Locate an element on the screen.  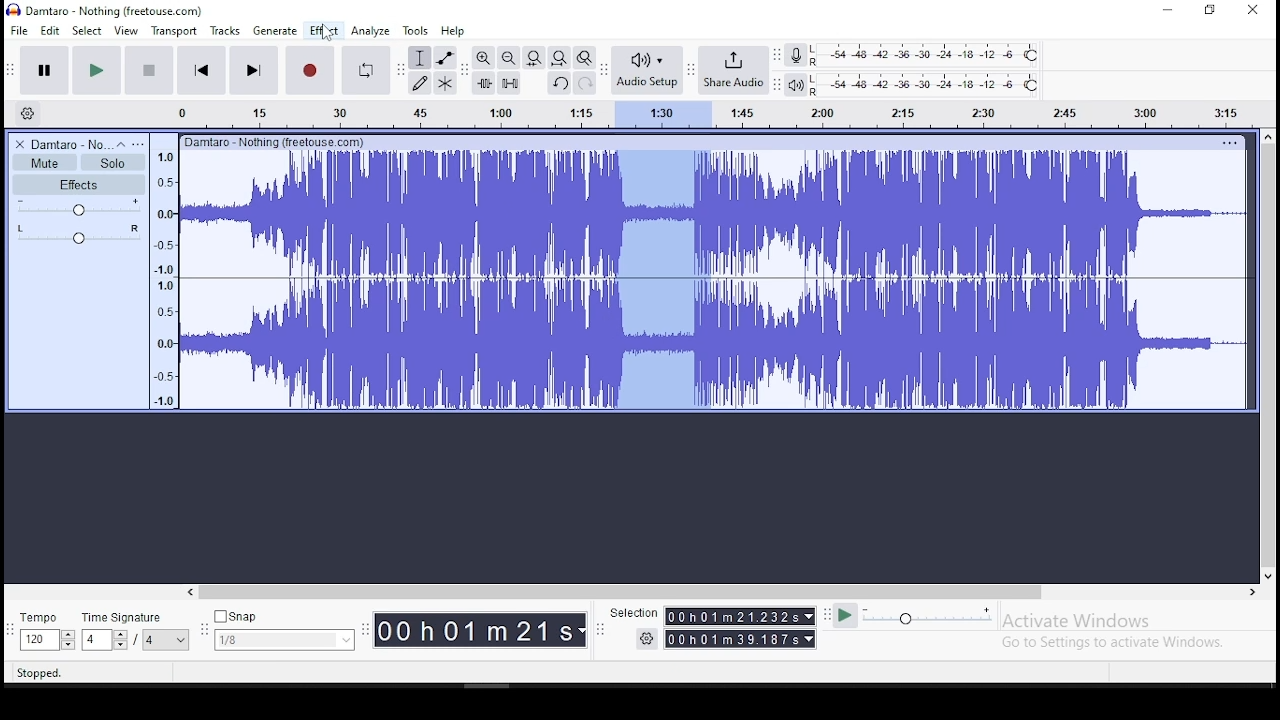
time signature is located at coordinates (135, 617).